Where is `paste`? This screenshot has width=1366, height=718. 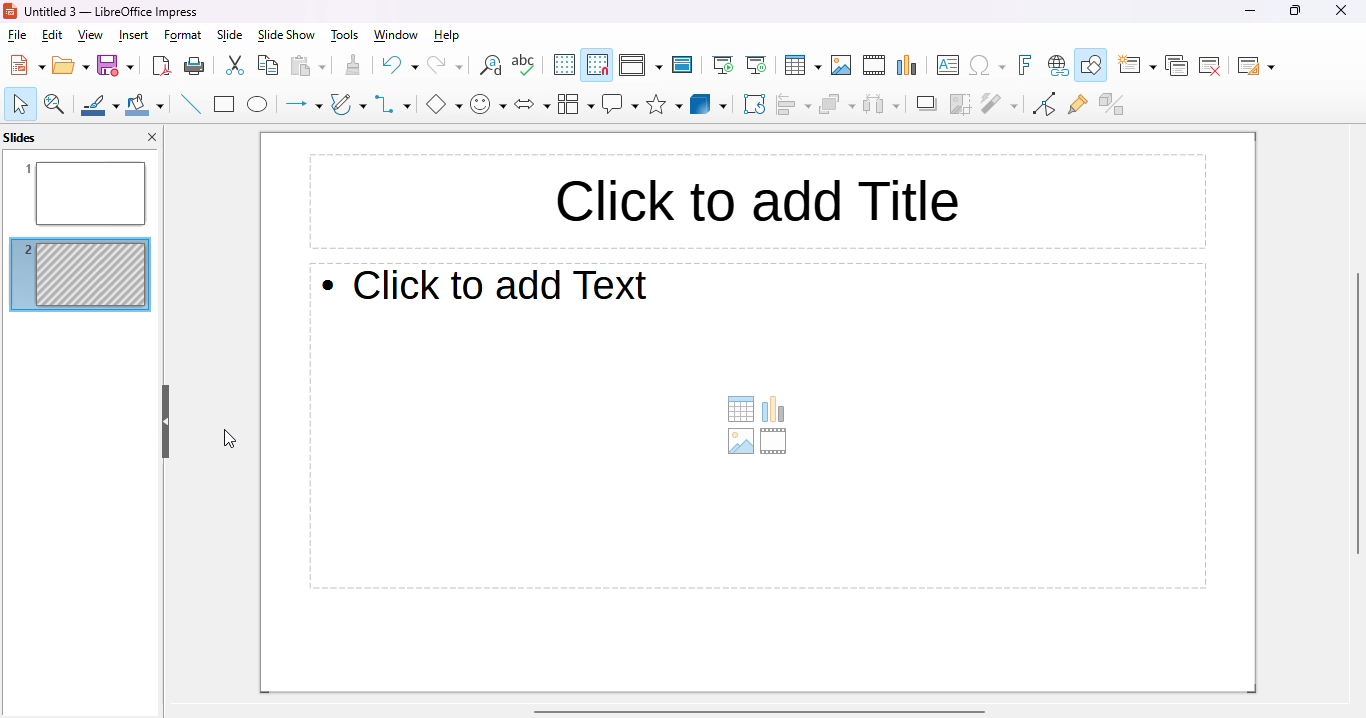
paste is located at coordinates (307, 66).